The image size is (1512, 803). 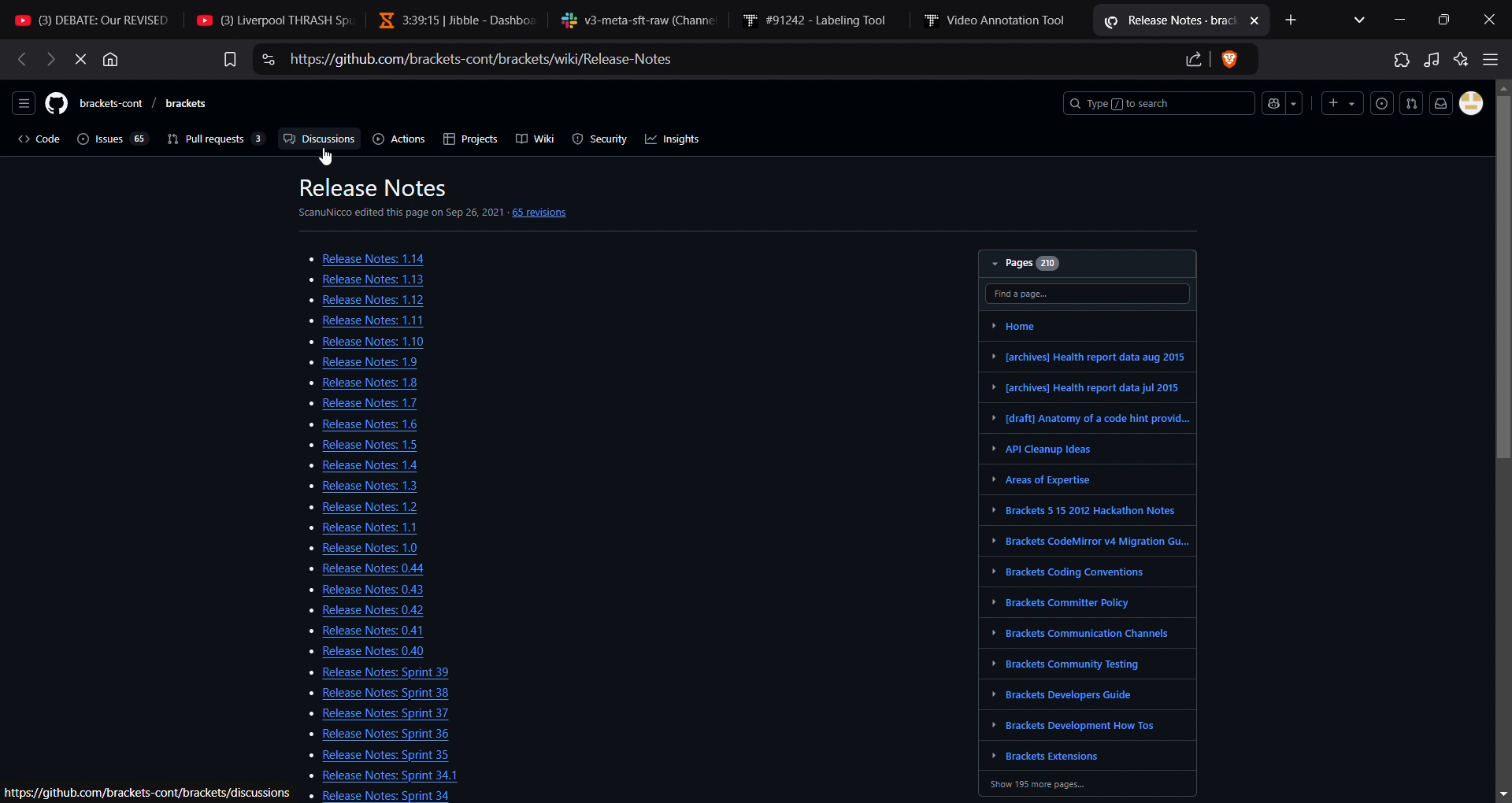 I want to click on o Release Notes: 0.44, so click(x=361, y=568).